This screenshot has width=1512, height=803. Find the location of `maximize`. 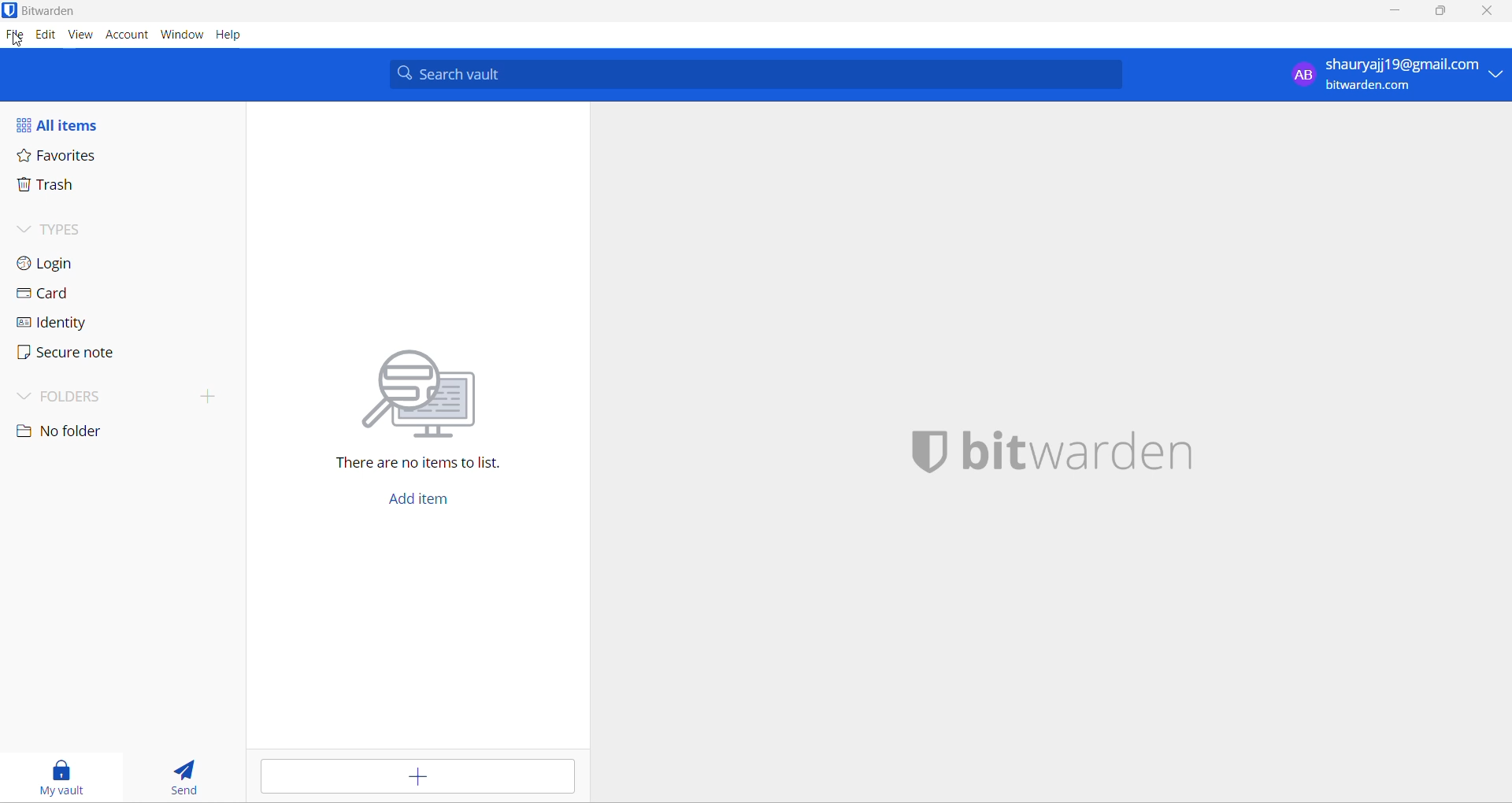

maximize is located at coordinates (1440, 13).